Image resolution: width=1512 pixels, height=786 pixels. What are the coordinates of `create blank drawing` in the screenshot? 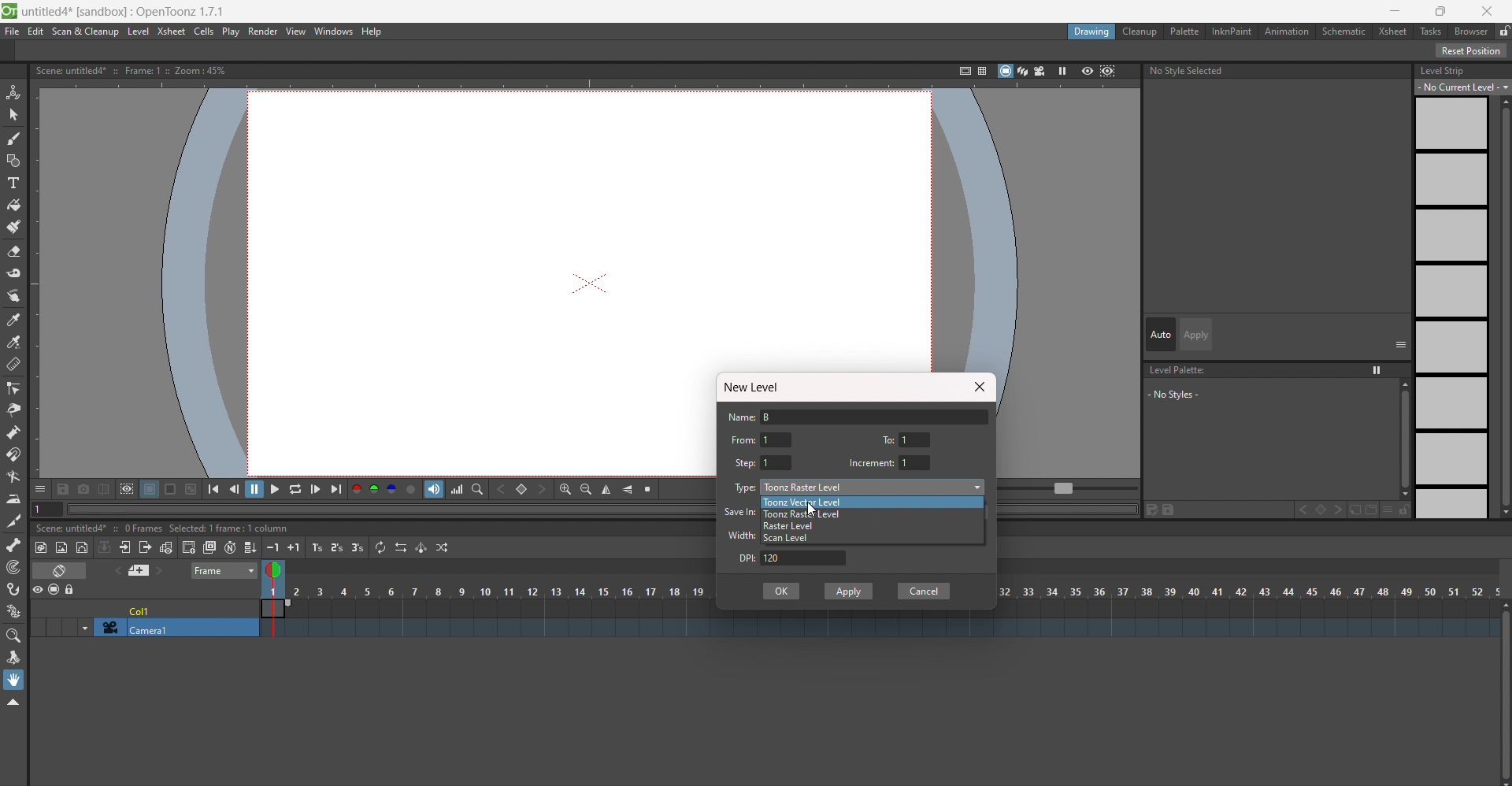 It's located at (188, 547).